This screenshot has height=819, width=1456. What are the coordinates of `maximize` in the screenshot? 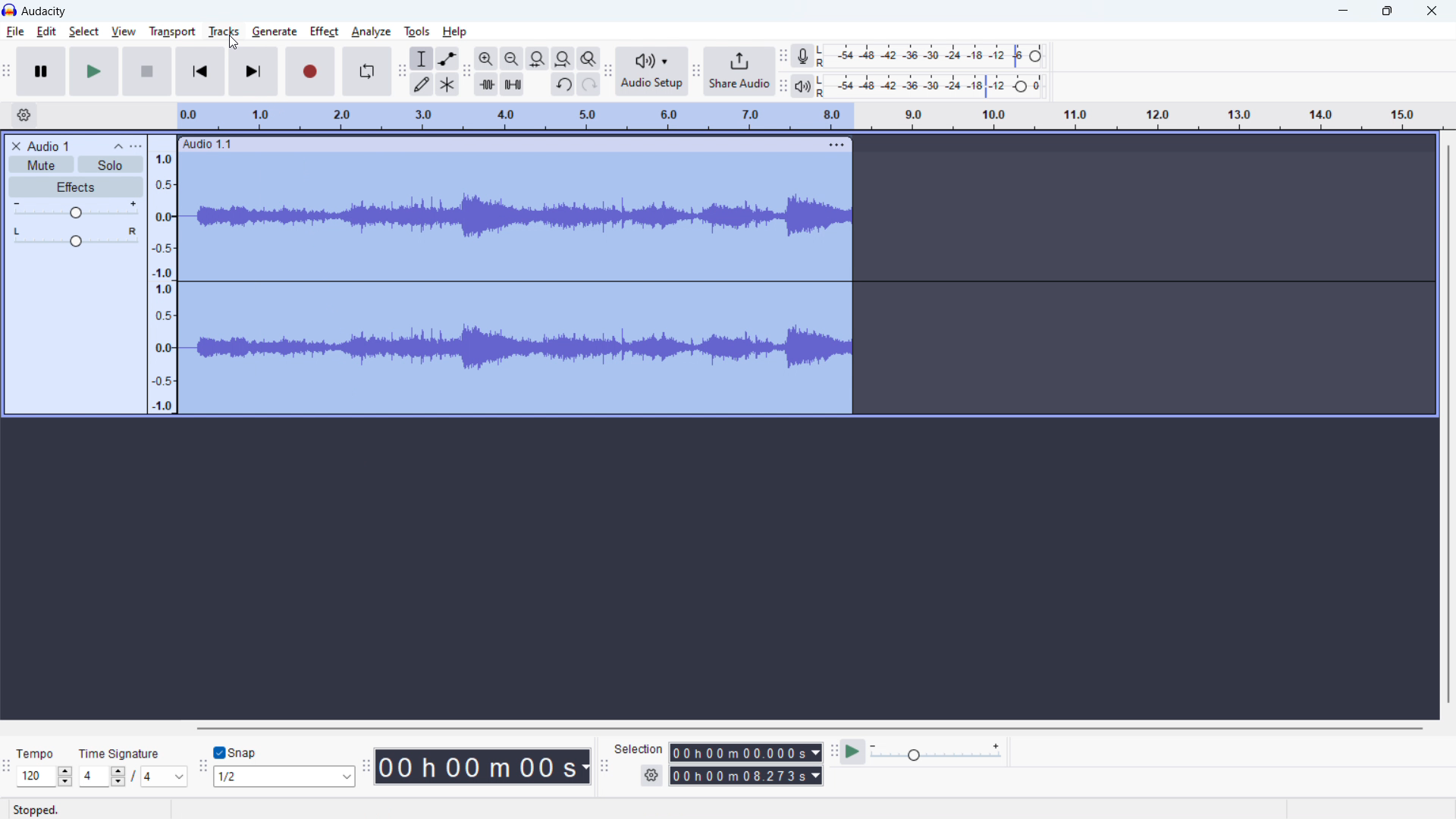 It's located at (1387, 11).